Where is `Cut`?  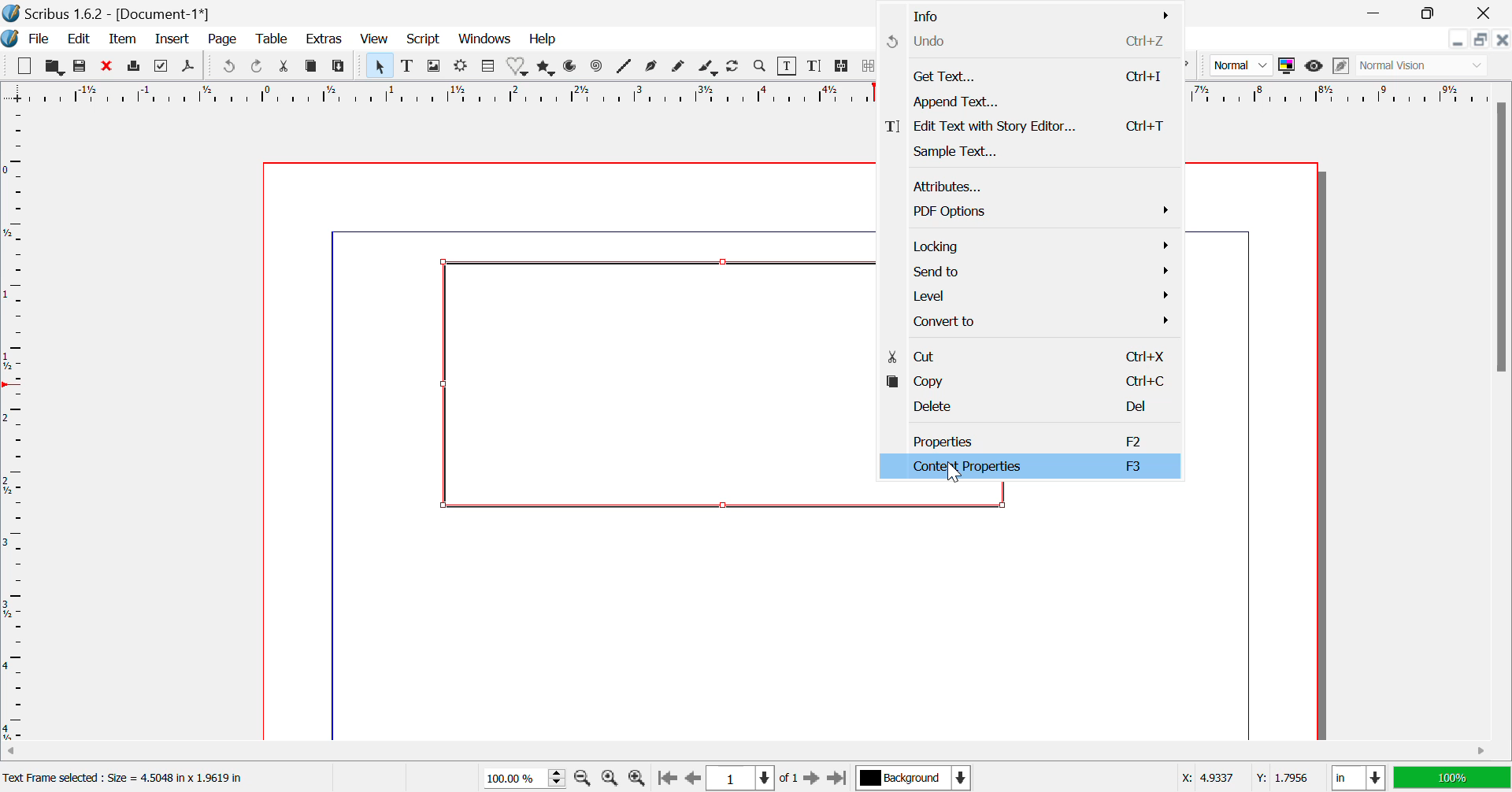 Cut is located at coordinates (1026, 356).